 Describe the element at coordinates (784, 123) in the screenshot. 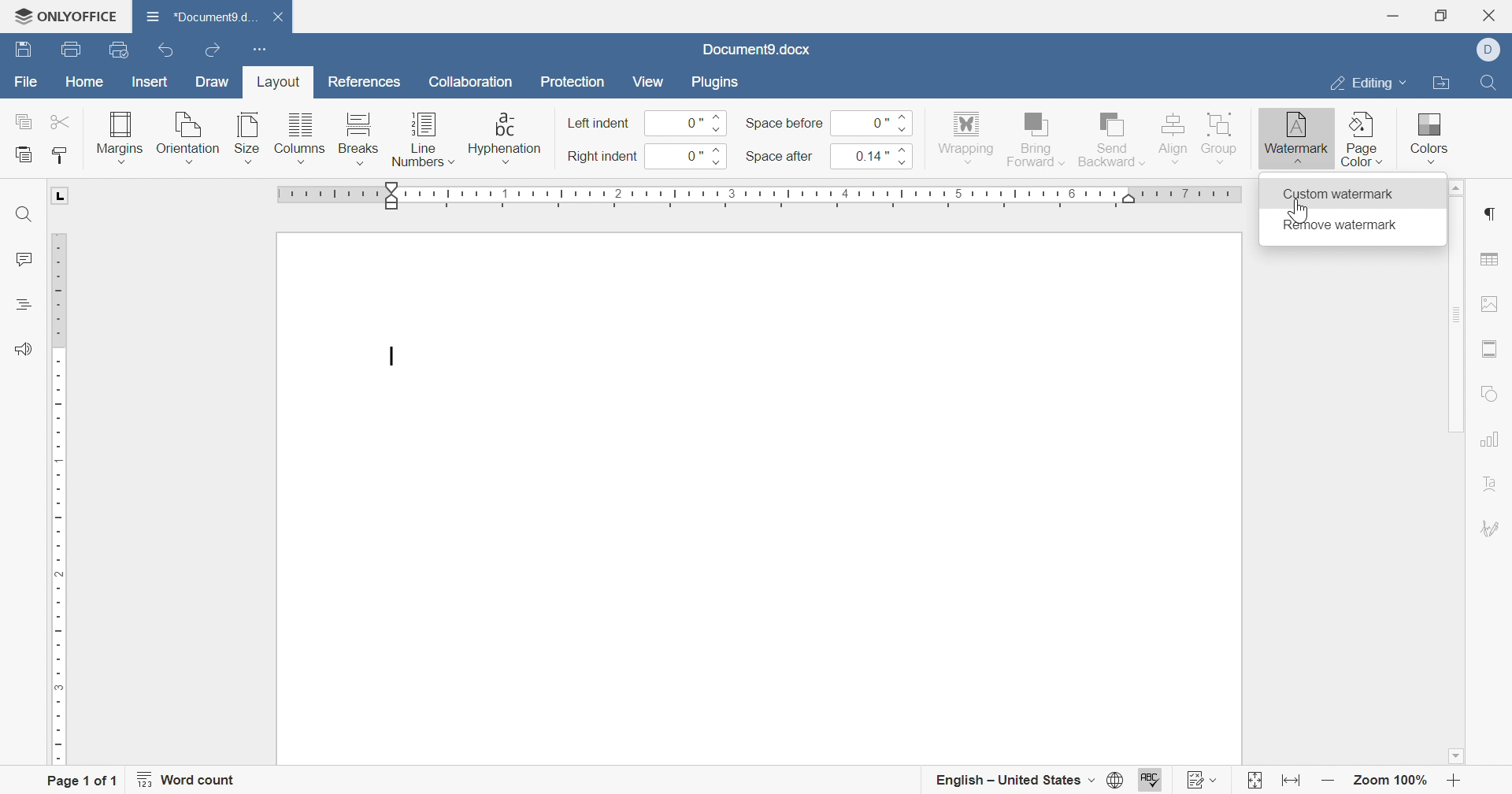

I see `space before` at that location.